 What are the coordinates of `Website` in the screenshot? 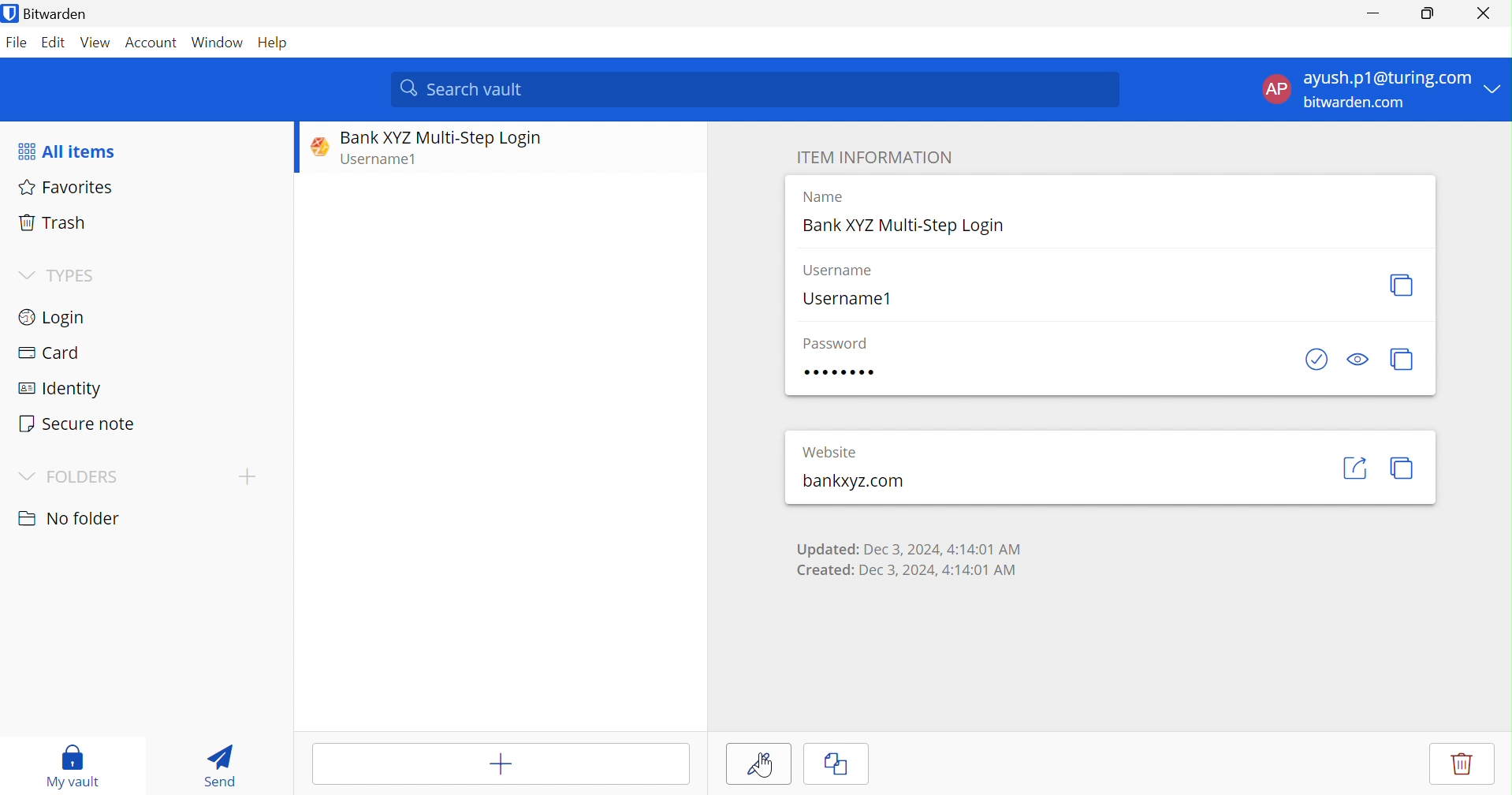 It's located at (830, 451).